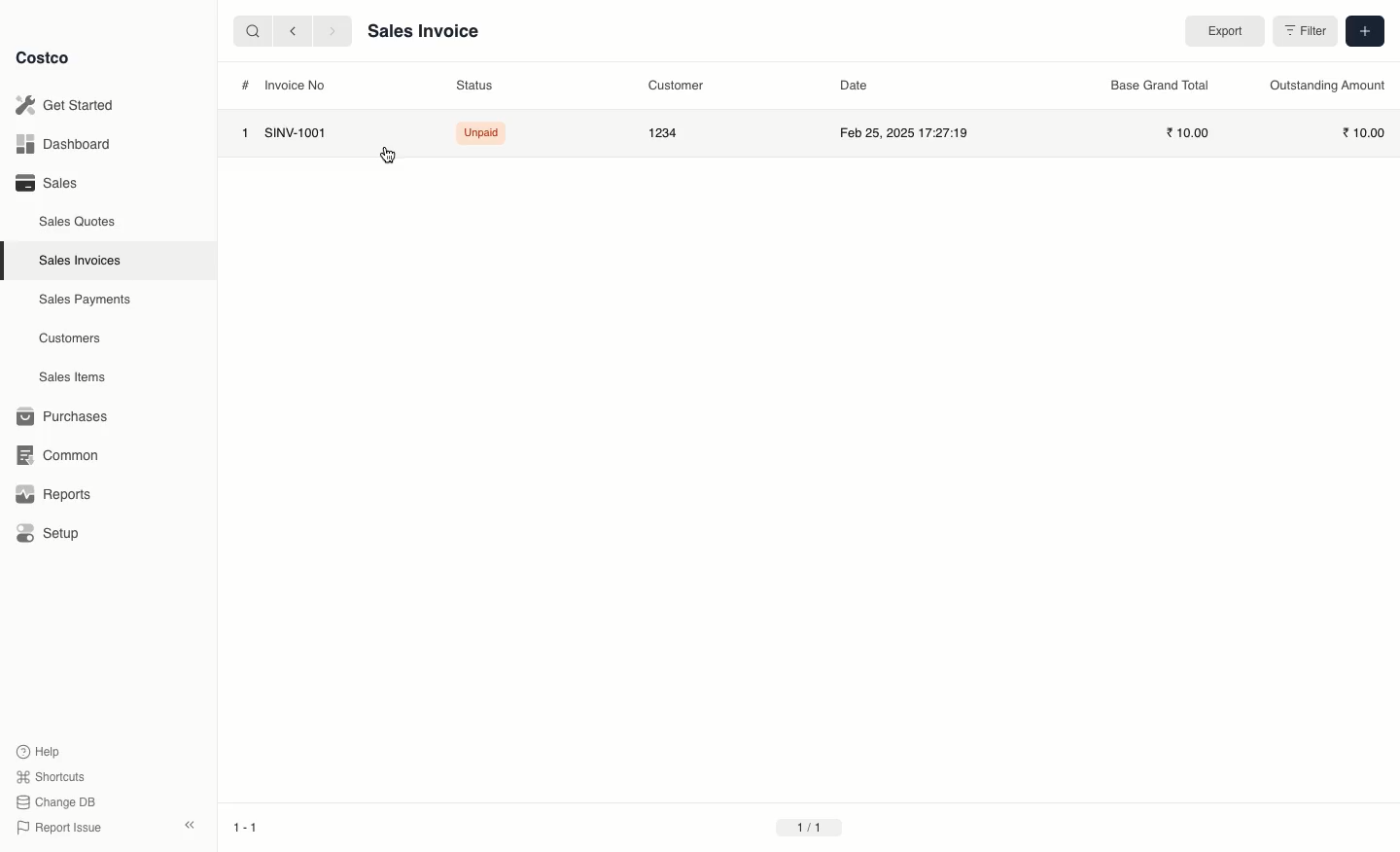 The image size is (1400, 852). What do you see at coordinates (1159, 85) in the screenshot?
I see `‘Base Grand Total` at bounding box center [1159, 85].